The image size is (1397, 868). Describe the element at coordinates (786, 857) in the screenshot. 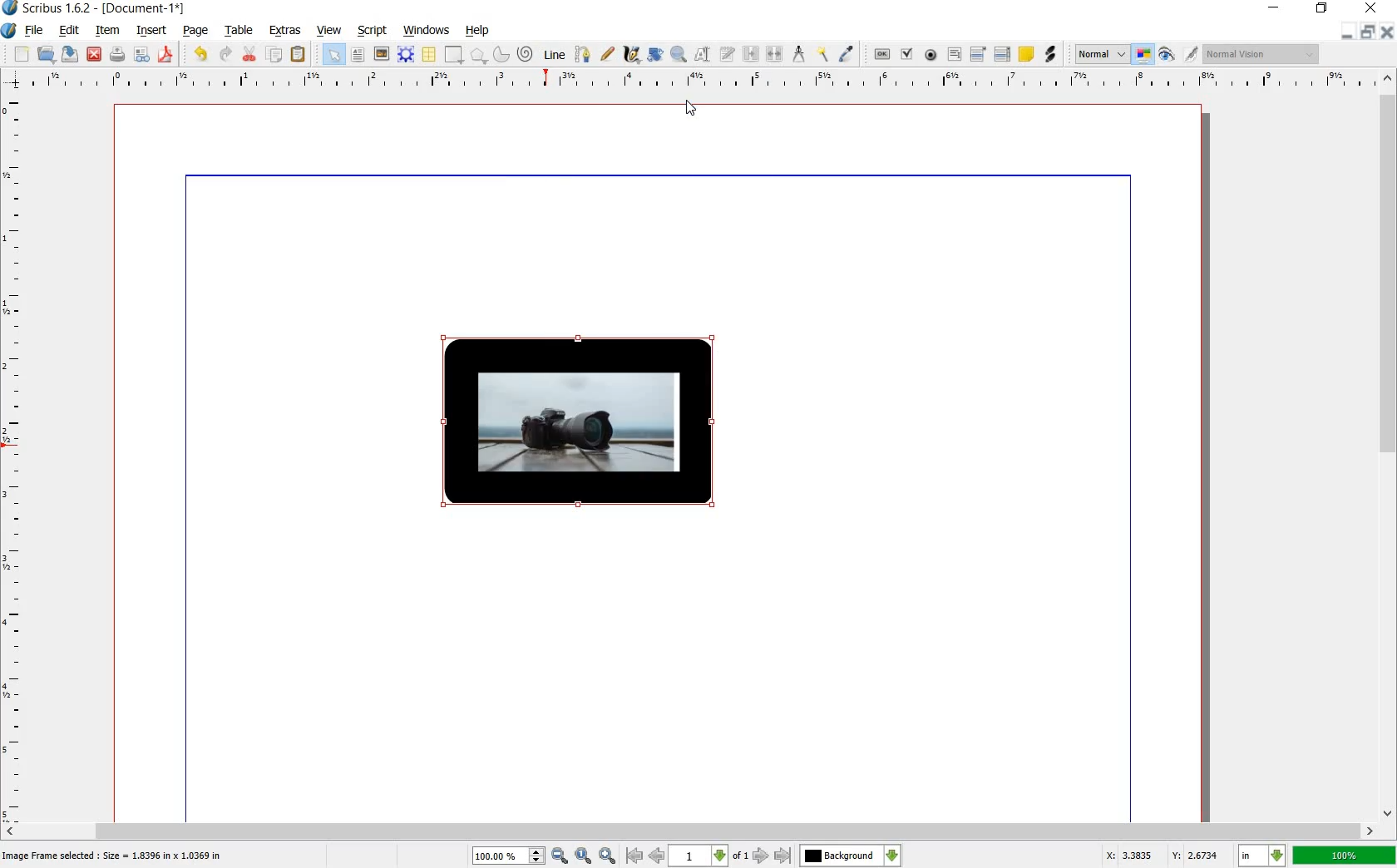

I see `move to over-next page` at that location.